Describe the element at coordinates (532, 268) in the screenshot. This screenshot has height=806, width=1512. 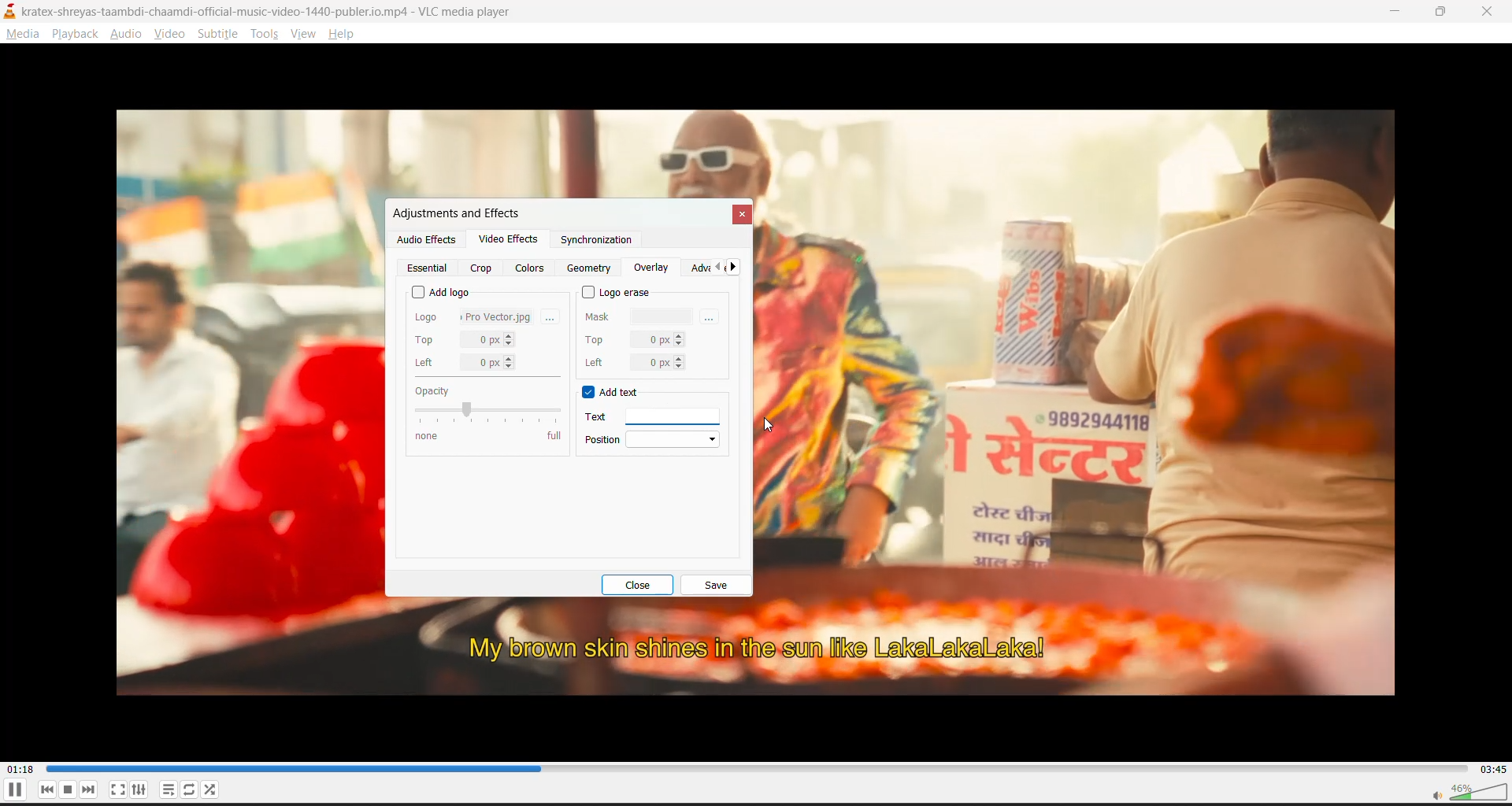
I see `colors` at that location.